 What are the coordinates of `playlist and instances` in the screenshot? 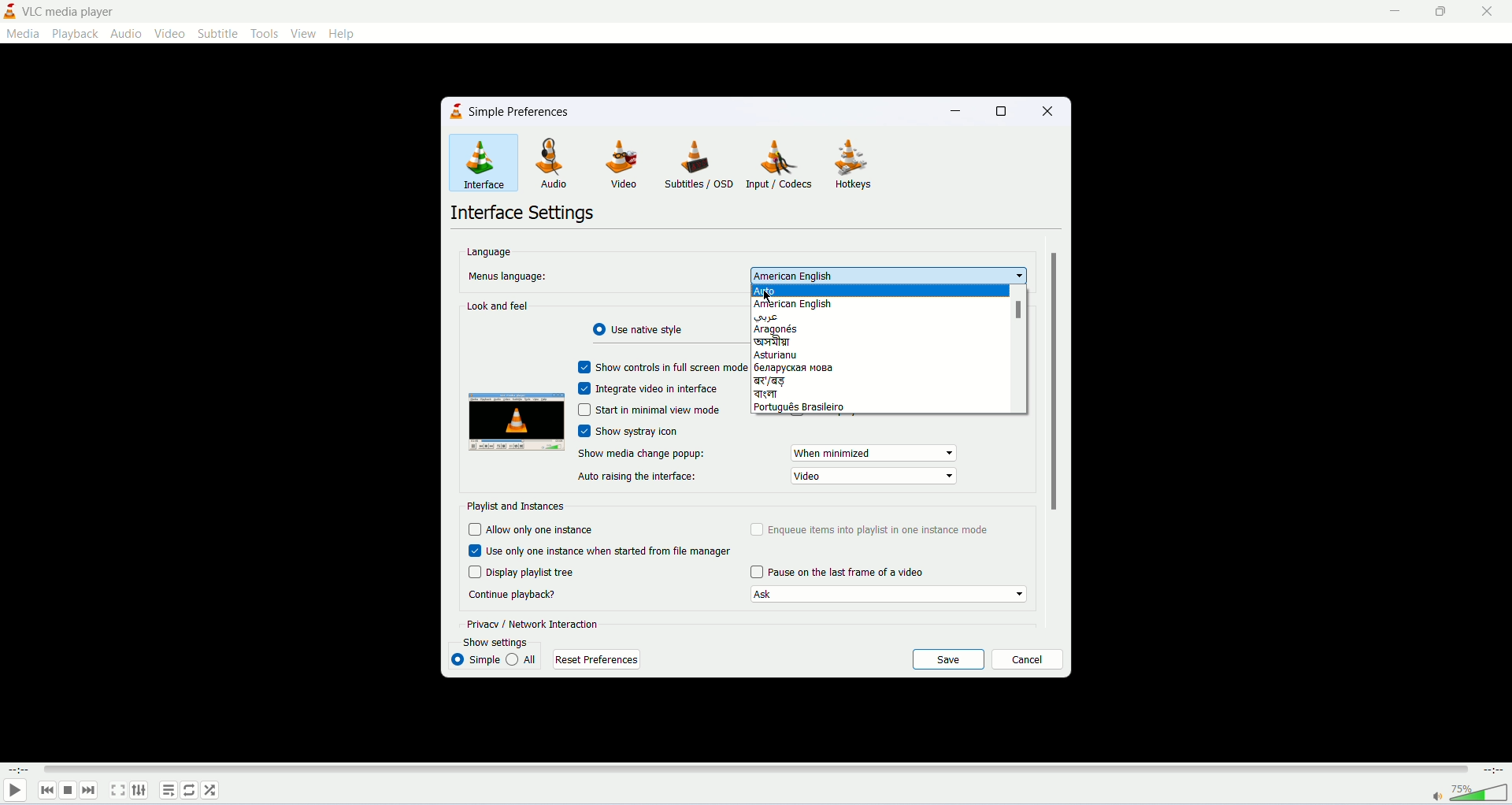 It's located at (516, 506).